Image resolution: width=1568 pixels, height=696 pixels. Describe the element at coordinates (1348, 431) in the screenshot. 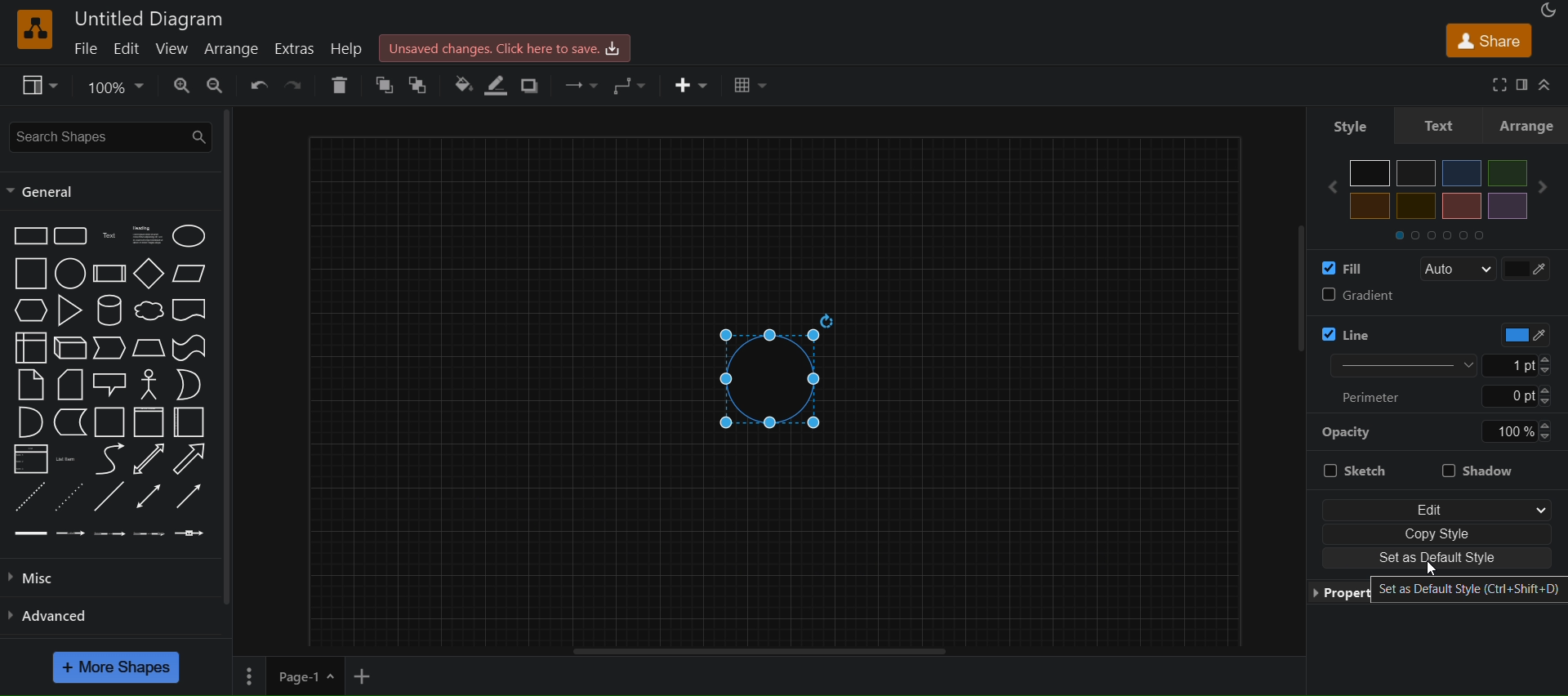

I see `opacity` at that location.